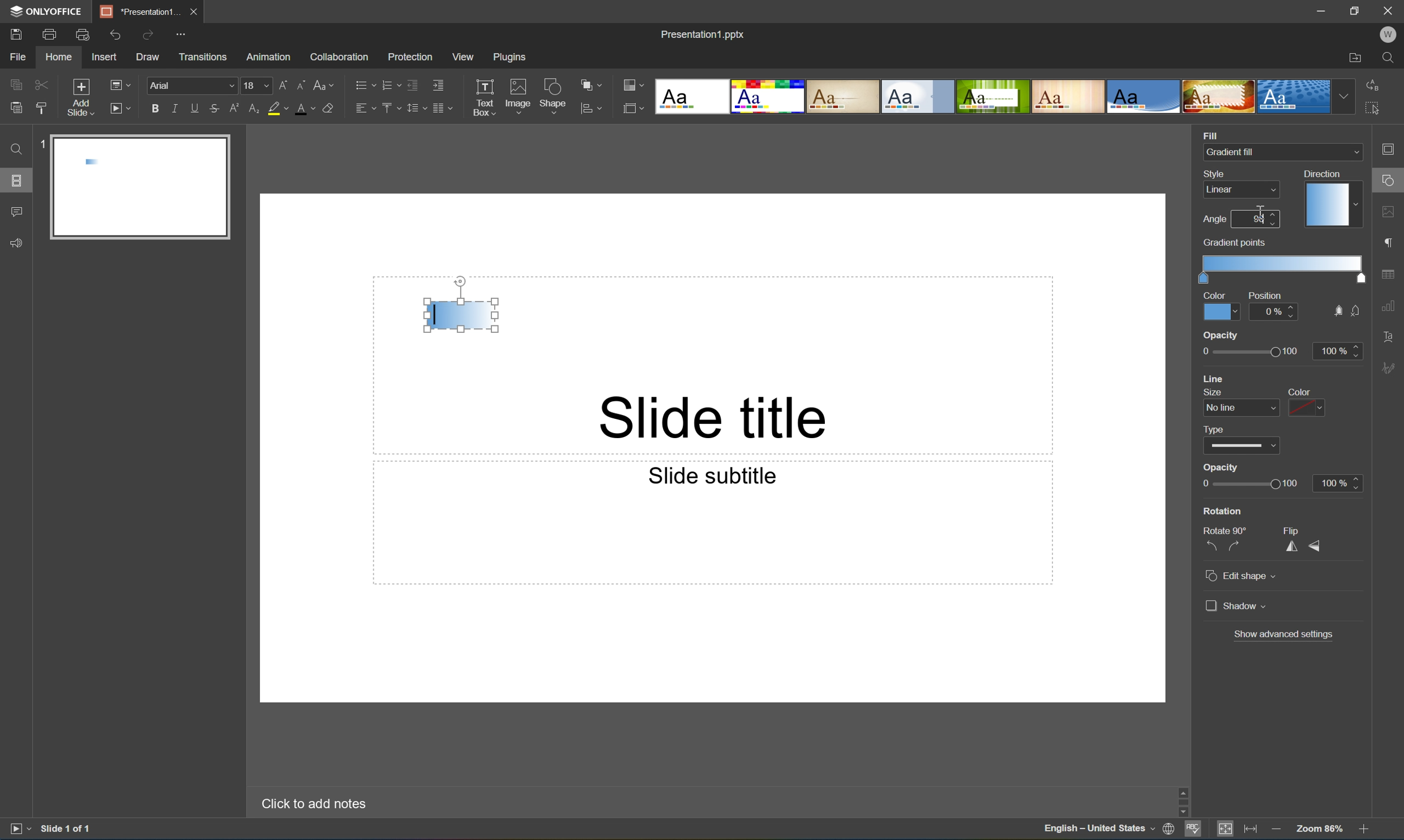 Image resolution: width=1404 pixels, height=840 pixels. Describe the element at coordinates (149, 57) in the screenshot. I see `Draw` at that location.